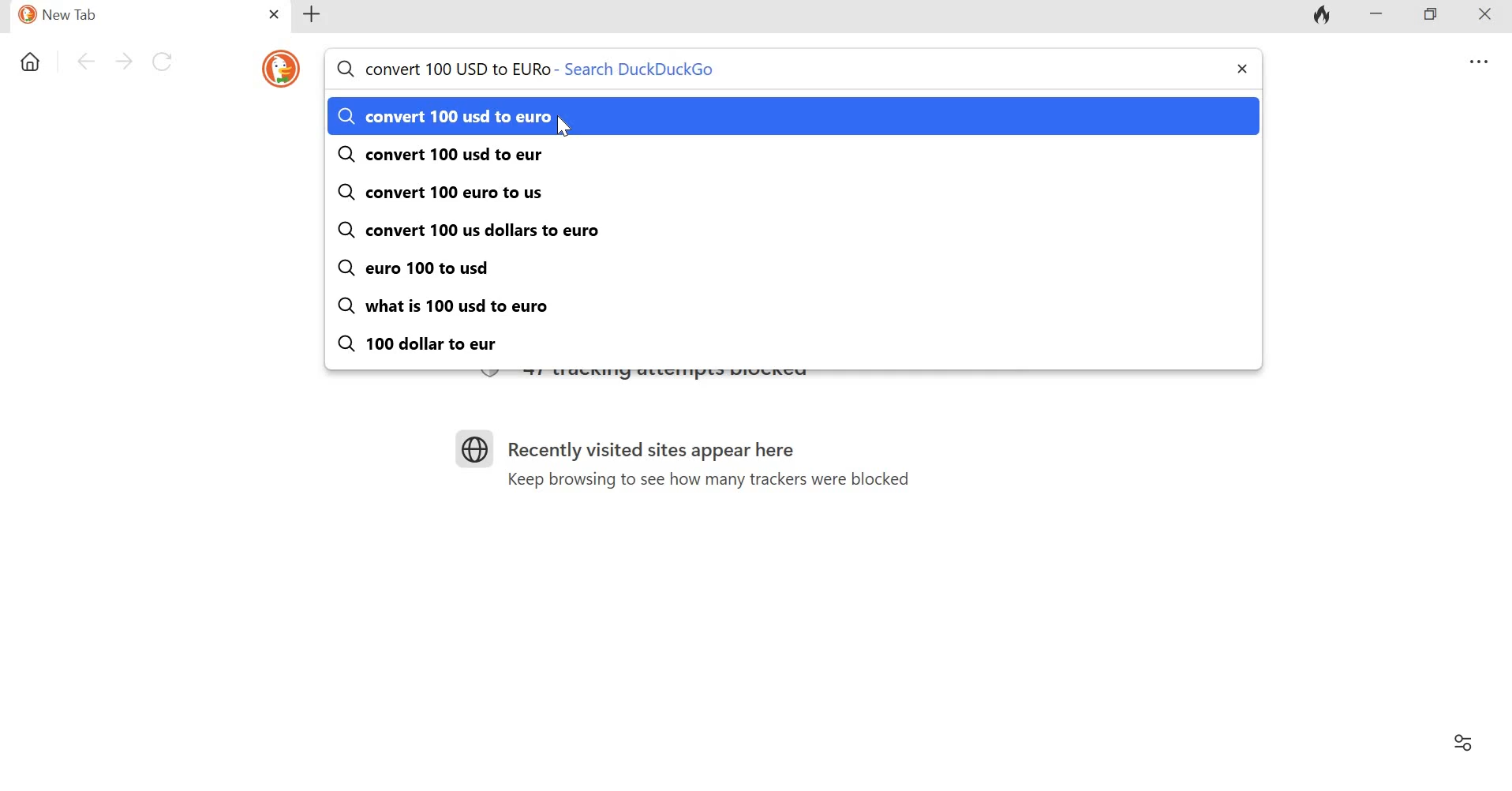  What do you see at coordinates (280, 69) in the screenshot?
I see `DuckDuckGo icon` at bounding box center [280, 69].